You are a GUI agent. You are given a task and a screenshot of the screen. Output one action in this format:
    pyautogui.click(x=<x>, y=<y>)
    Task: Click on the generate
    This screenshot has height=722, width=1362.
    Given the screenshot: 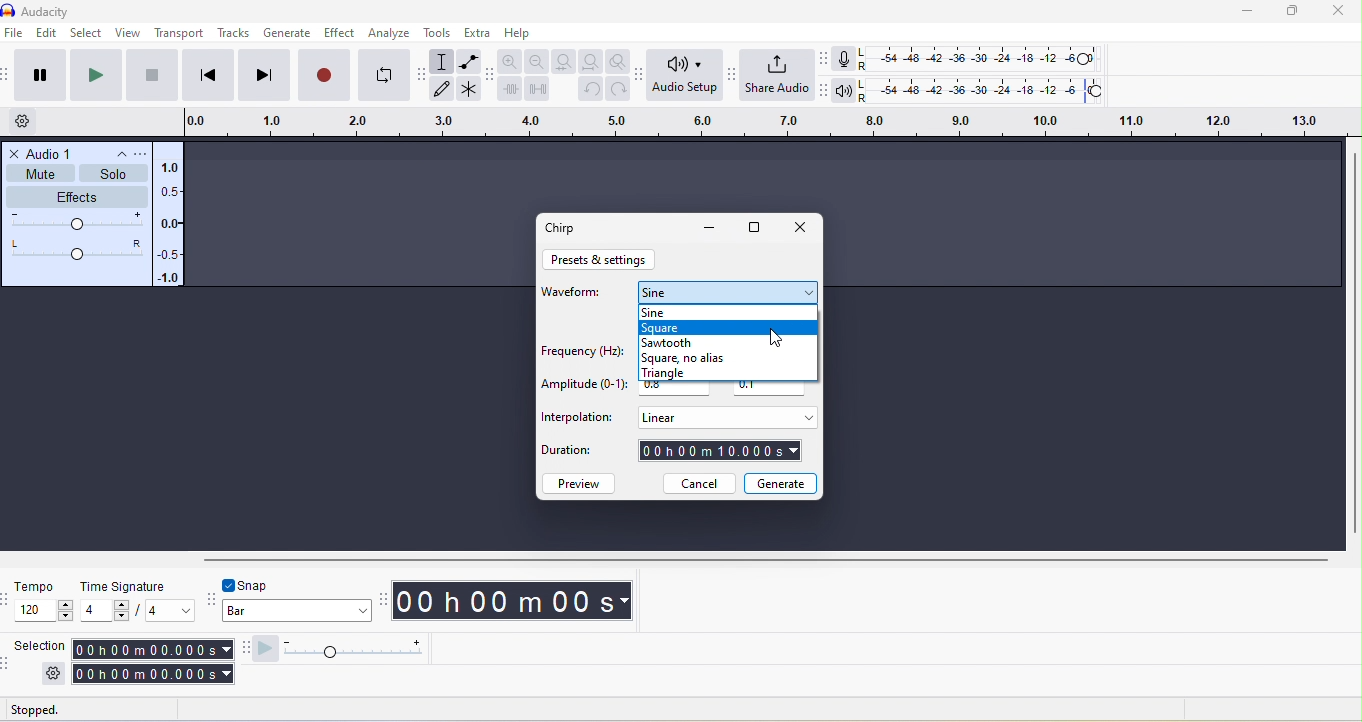 What is the action you would take?
    pyautogui.click(x=781, y=482)
    